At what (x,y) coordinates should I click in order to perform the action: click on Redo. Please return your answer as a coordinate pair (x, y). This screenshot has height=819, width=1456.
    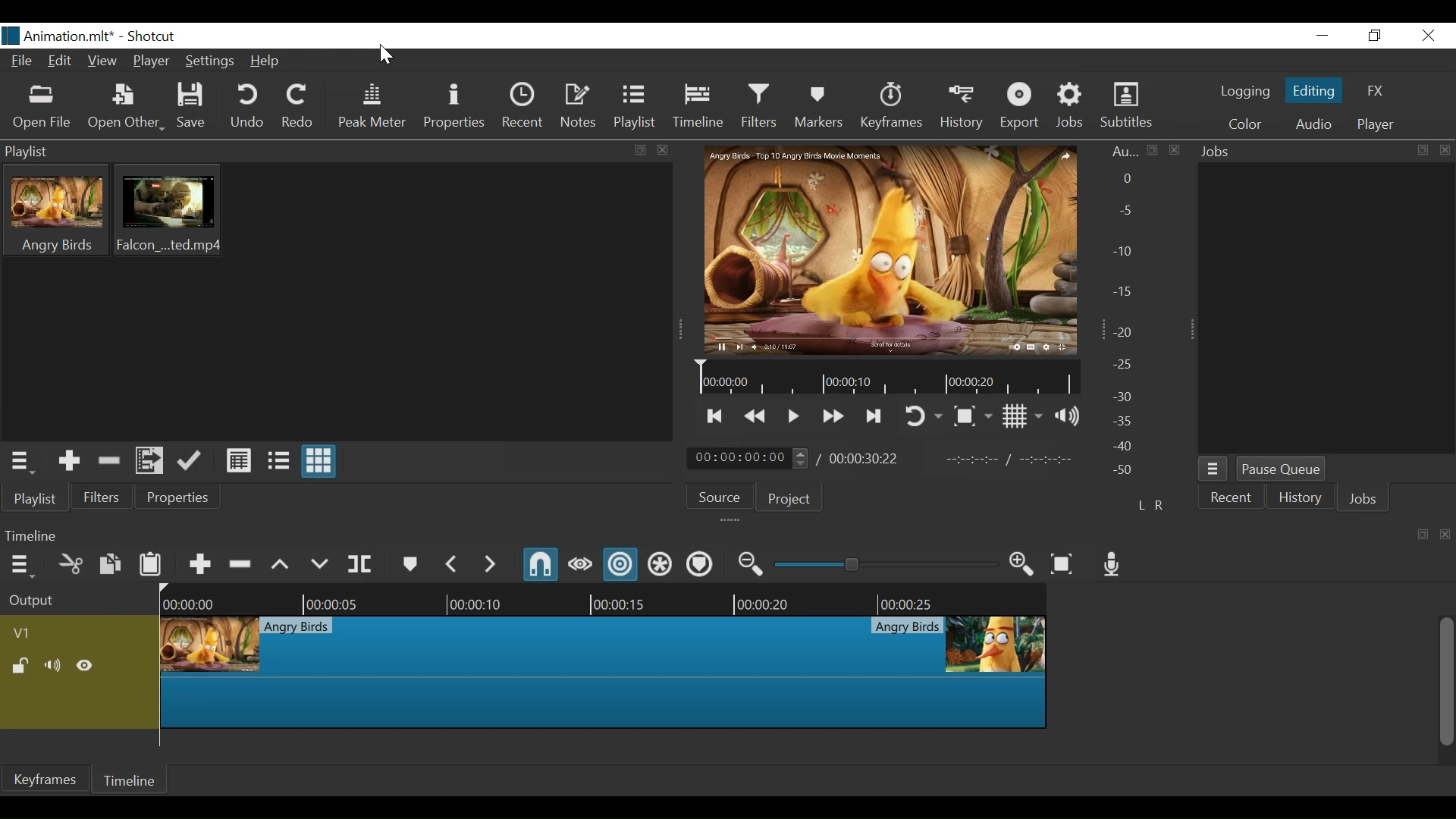
    Looking at the image, I should click on (300, 108).